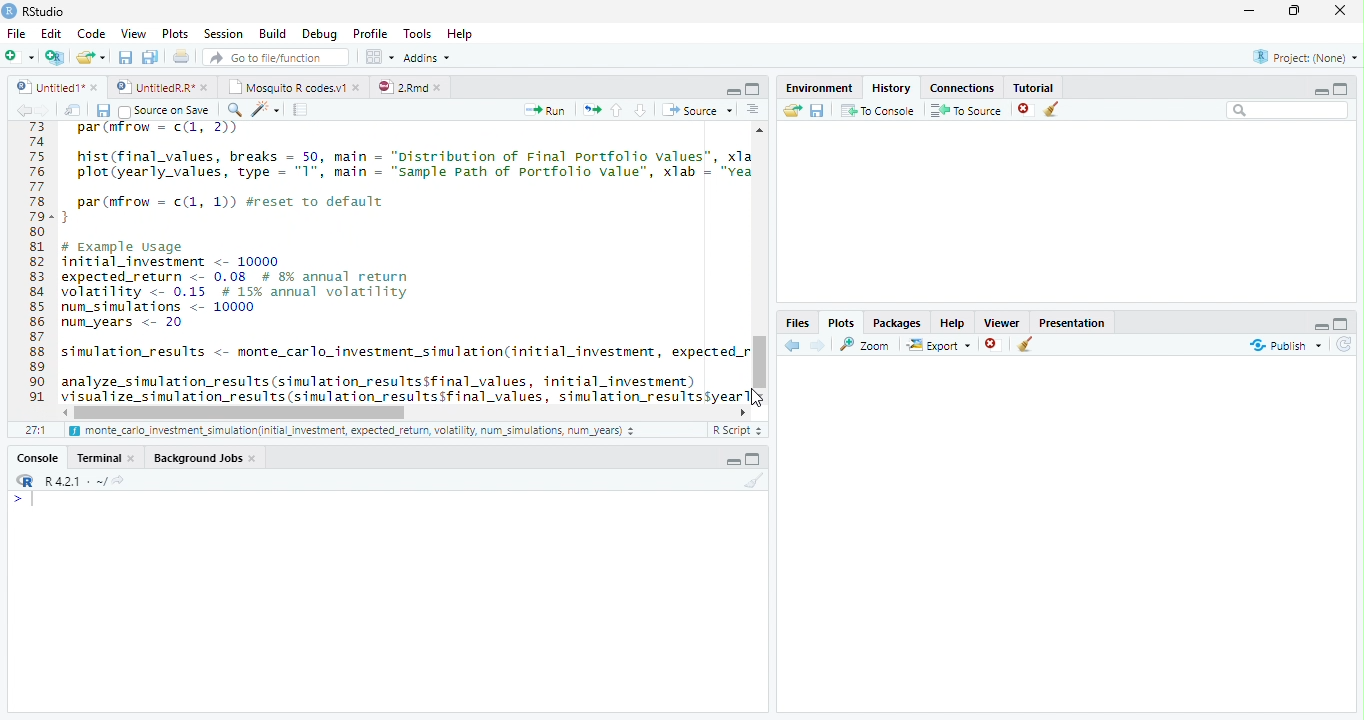 The image size is (1364, 720). I want to click on Create project, so click(54, 57).